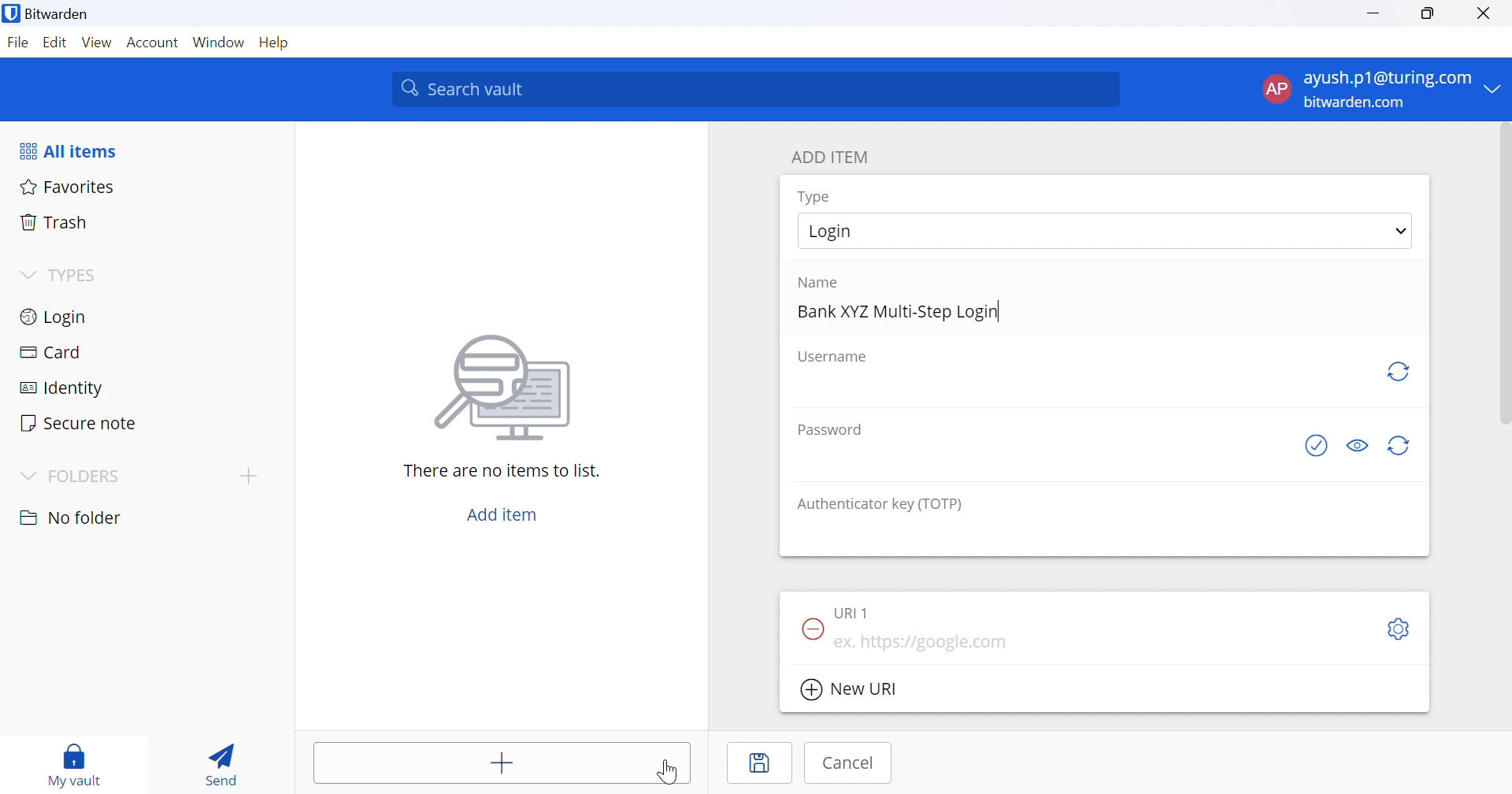 This screenshot has height=794, width=1512. I want to click on Regenerate username, so click(1401, 374).